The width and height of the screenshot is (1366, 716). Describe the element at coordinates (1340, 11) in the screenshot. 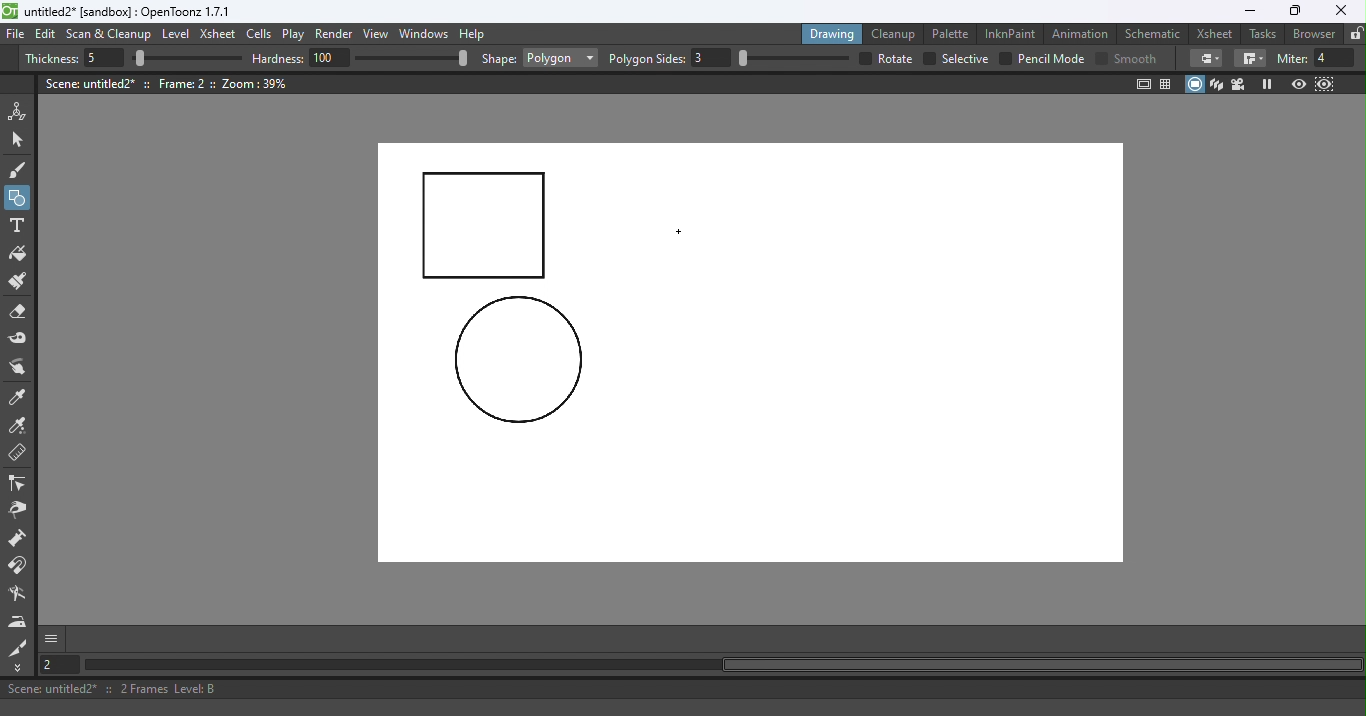

I see `Close` at that location.